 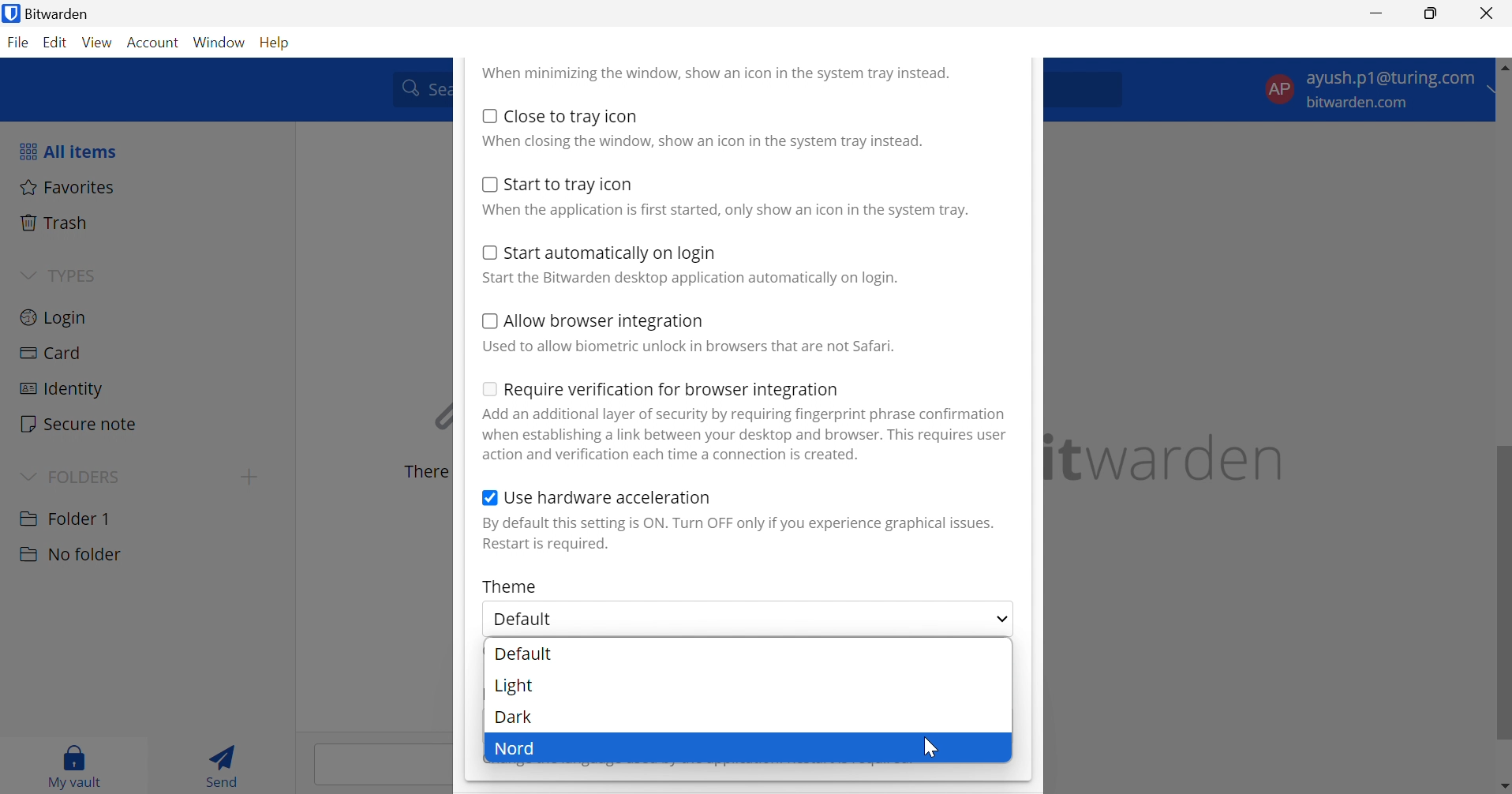 What do you see at coordinates (489, 500) in the screenshot?
I see `Checkbox` at bounding box center [489, 500].